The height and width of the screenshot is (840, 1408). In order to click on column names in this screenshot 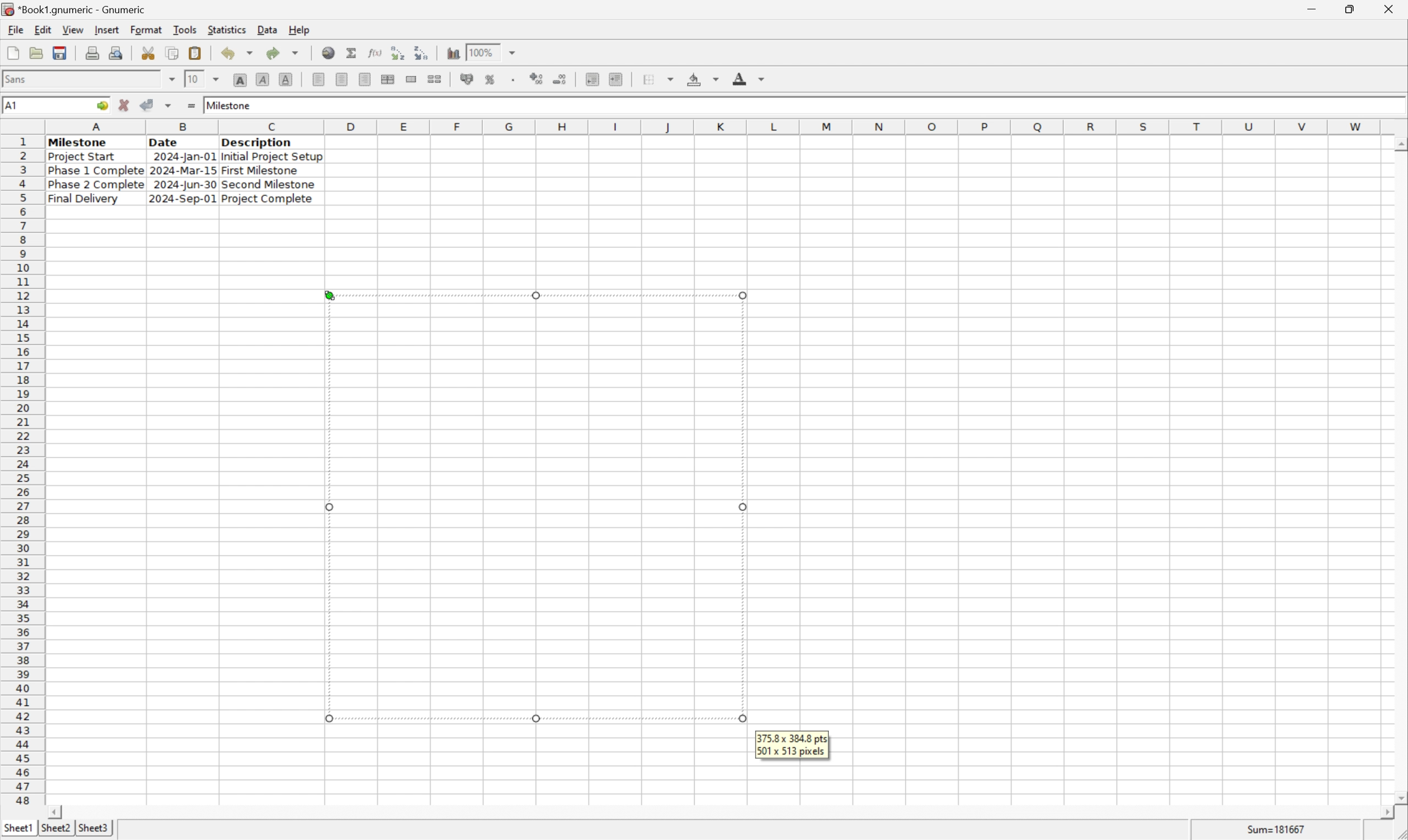, I will do `click(716, 126)`.